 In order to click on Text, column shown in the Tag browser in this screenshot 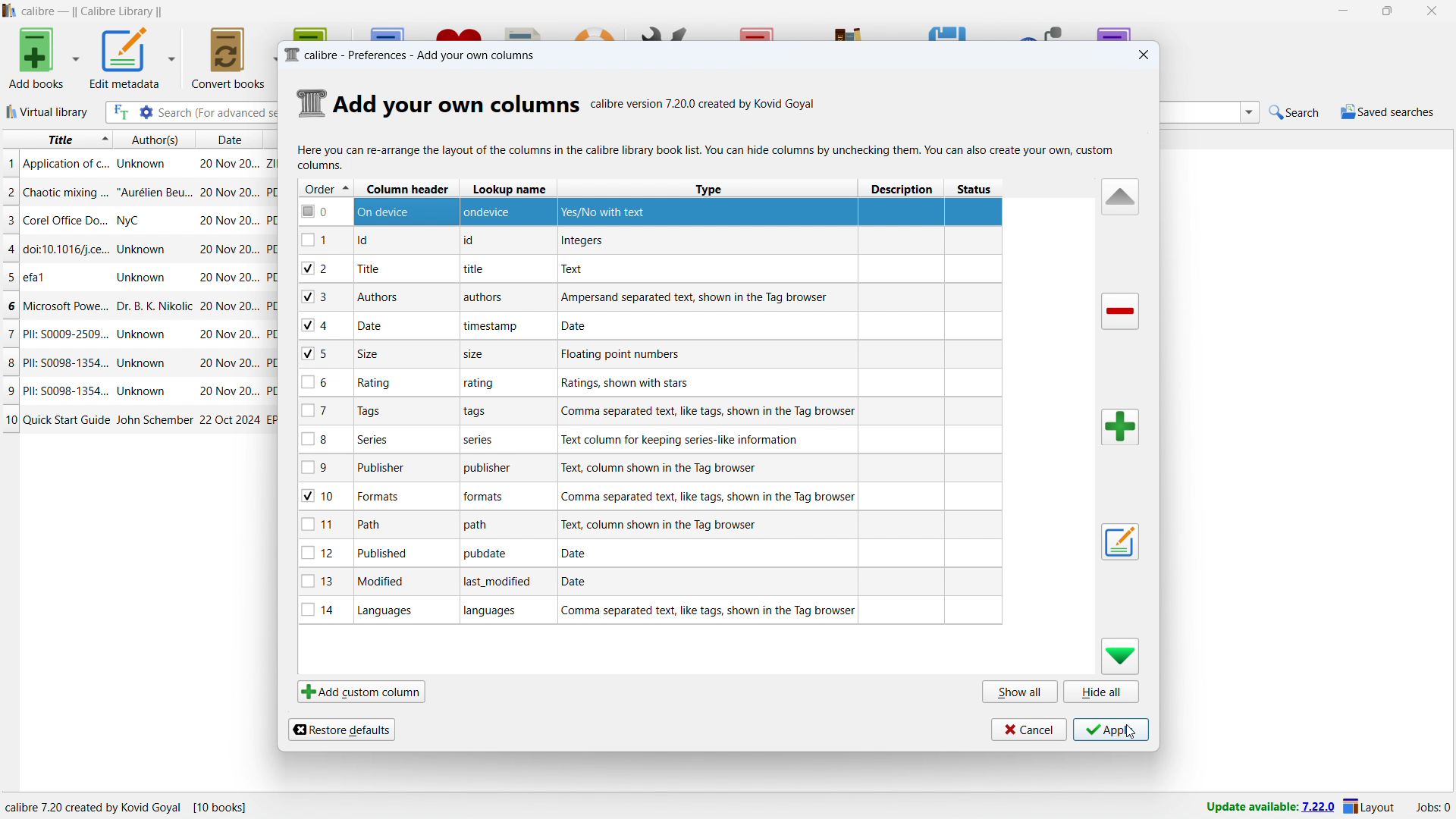, I will do `click(678, 467)`.